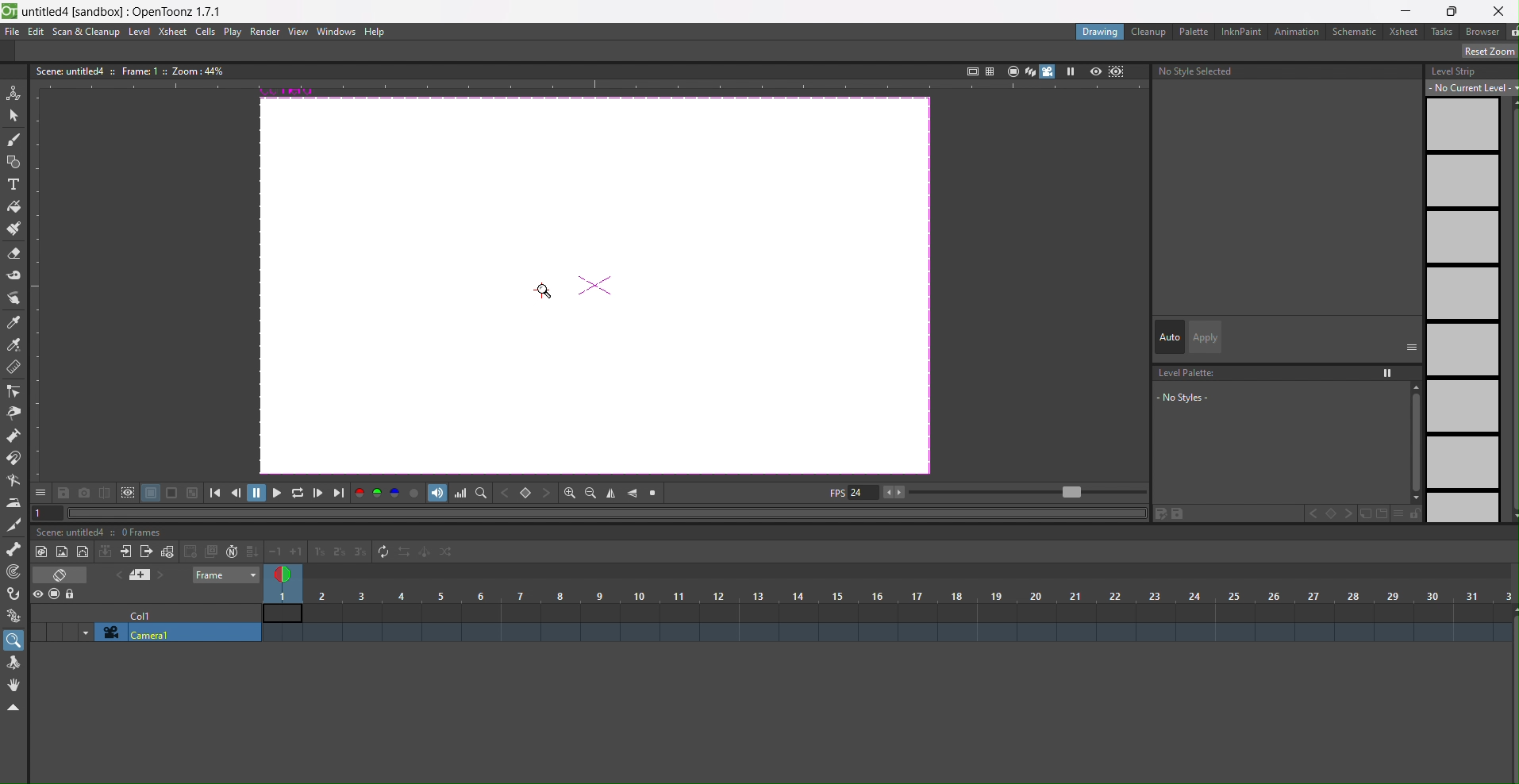  What do you see at coordinates (14, 369) in the screenshot?
I see `ruler tool` at bounding box center [14, 369].